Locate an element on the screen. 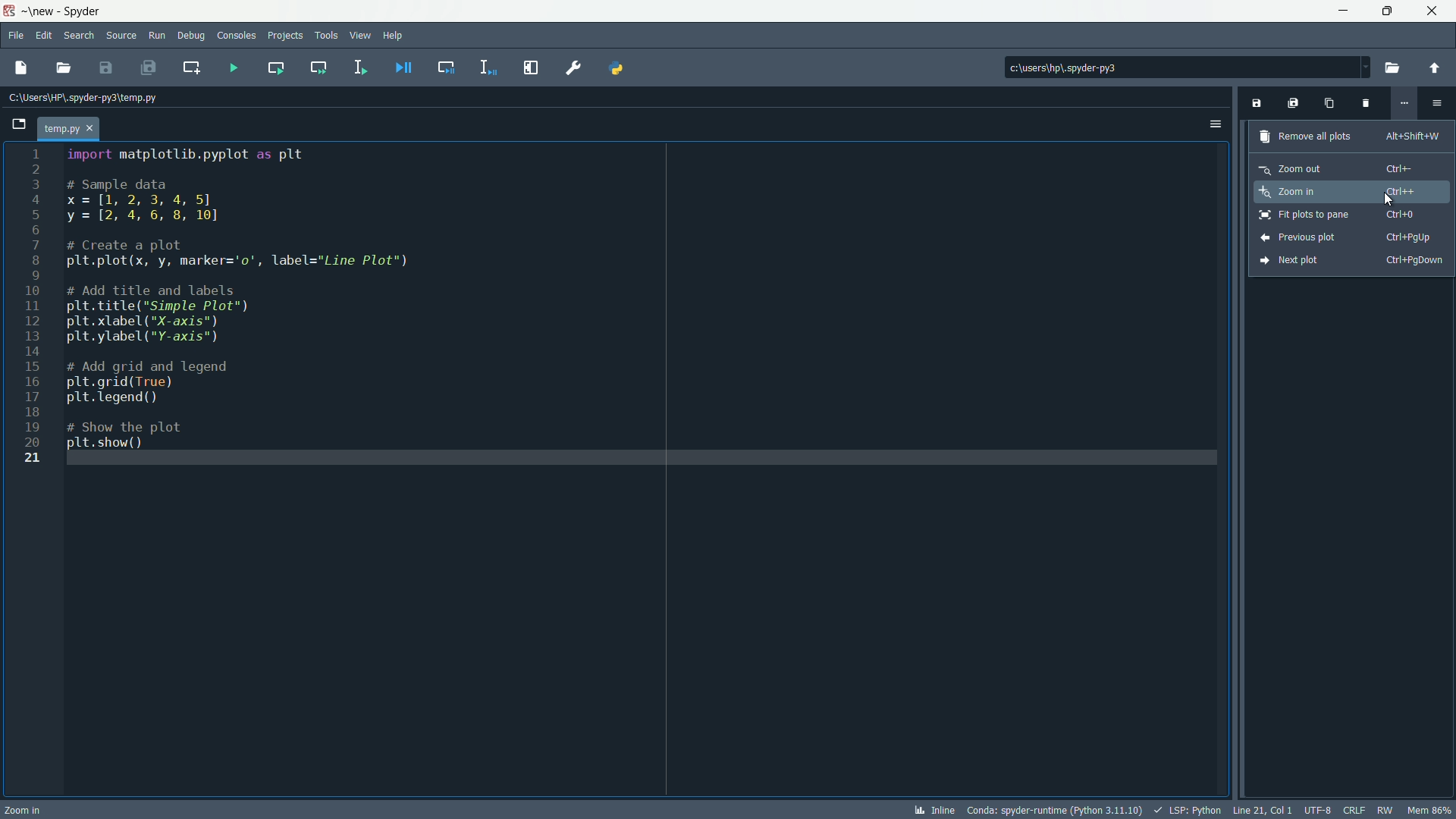 This screenshot has height=819, width=1456. file path is located at coordinates (90, 99).